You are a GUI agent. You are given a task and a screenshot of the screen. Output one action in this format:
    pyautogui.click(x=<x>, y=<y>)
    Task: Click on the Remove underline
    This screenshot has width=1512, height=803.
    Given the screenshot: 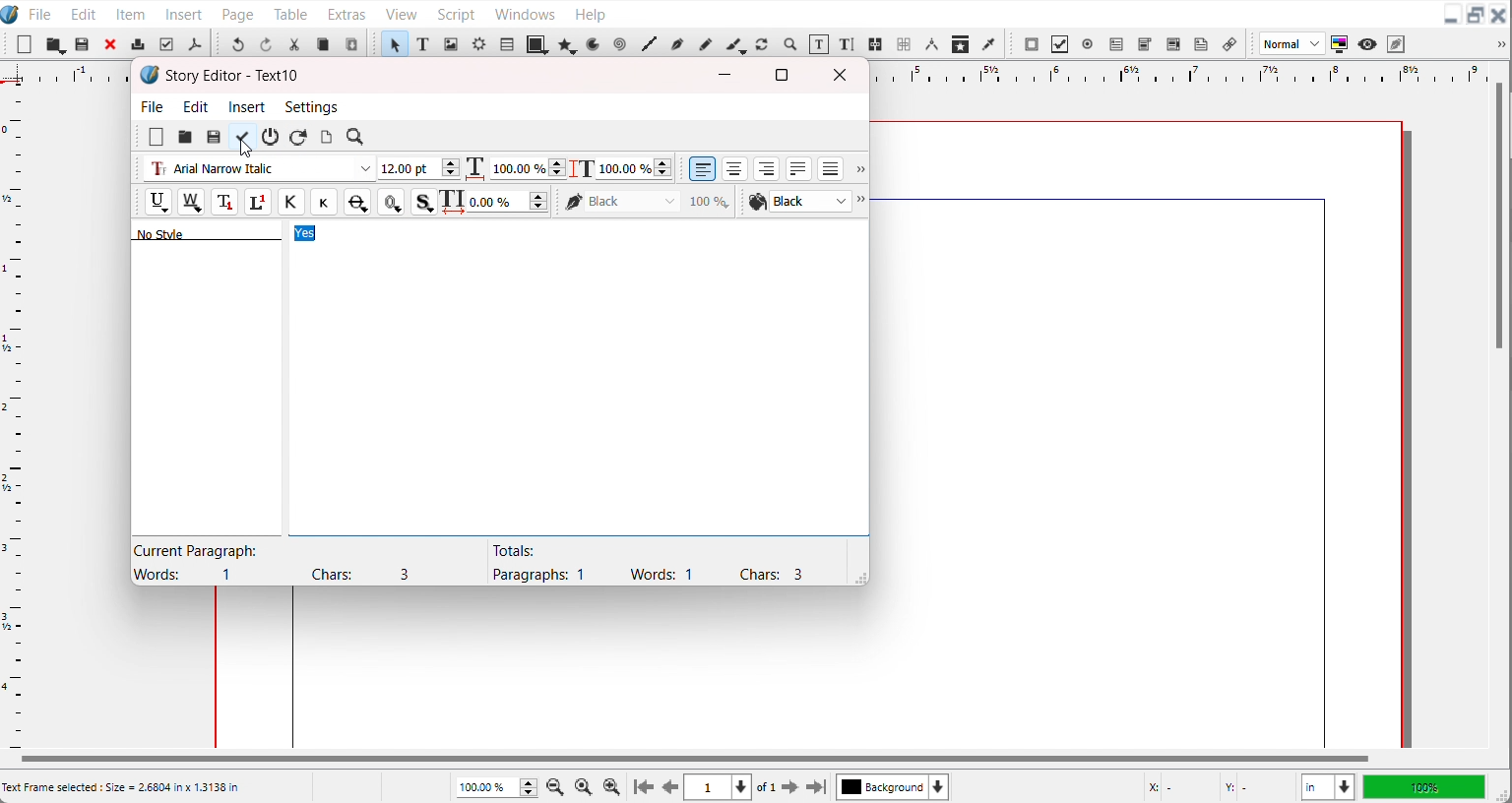 What is the action you would take?
    pyautogui.click(x=190, y=202)
    